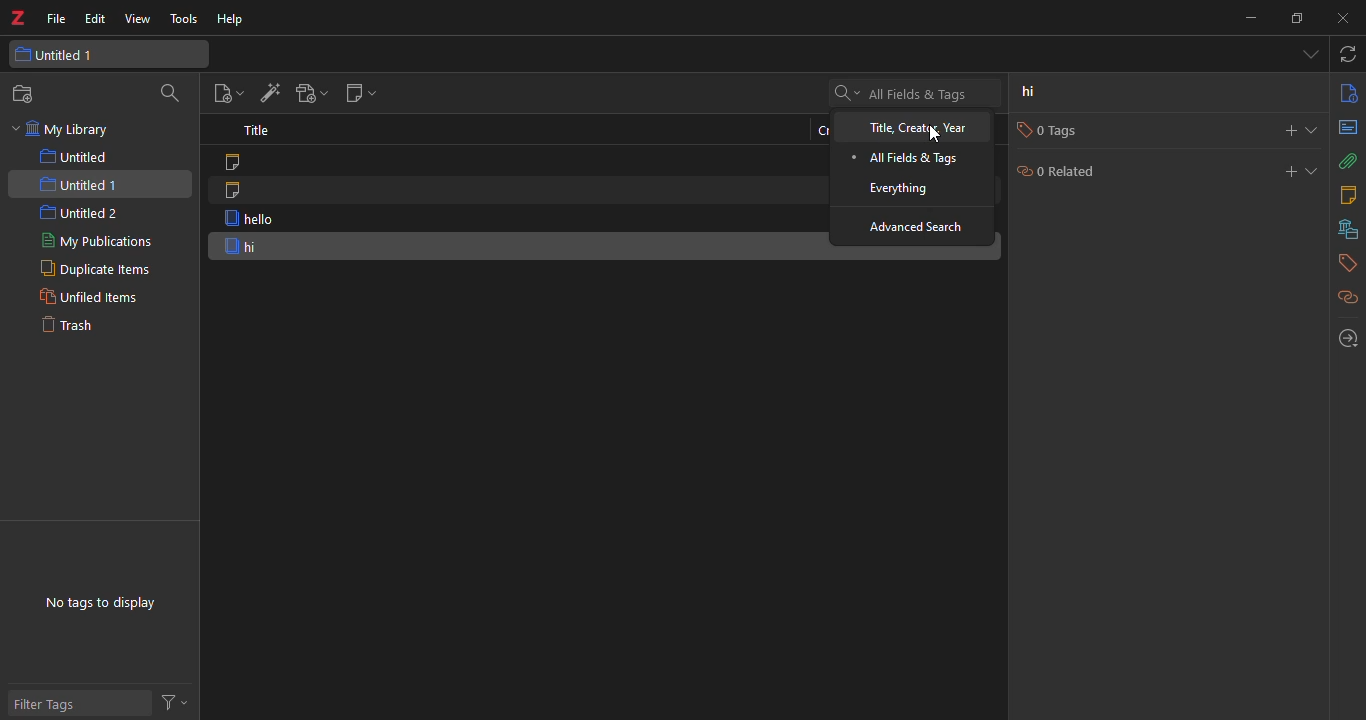  Describe the element at coordinates (1348, 160) in the screenshot. I see `attach` at that location.